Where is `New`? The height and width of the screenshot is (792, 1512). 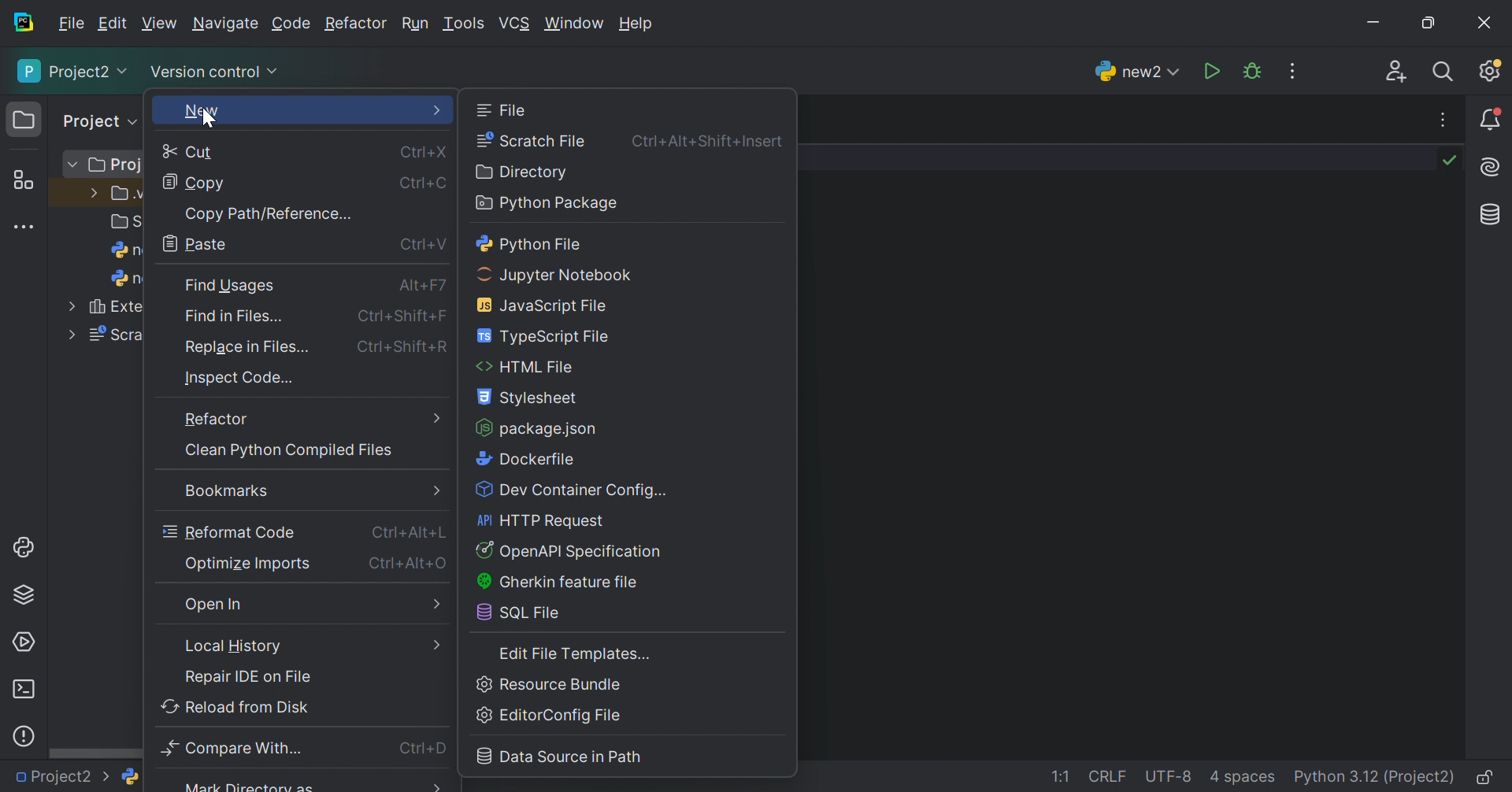
New is located at coordinates (201, 113).